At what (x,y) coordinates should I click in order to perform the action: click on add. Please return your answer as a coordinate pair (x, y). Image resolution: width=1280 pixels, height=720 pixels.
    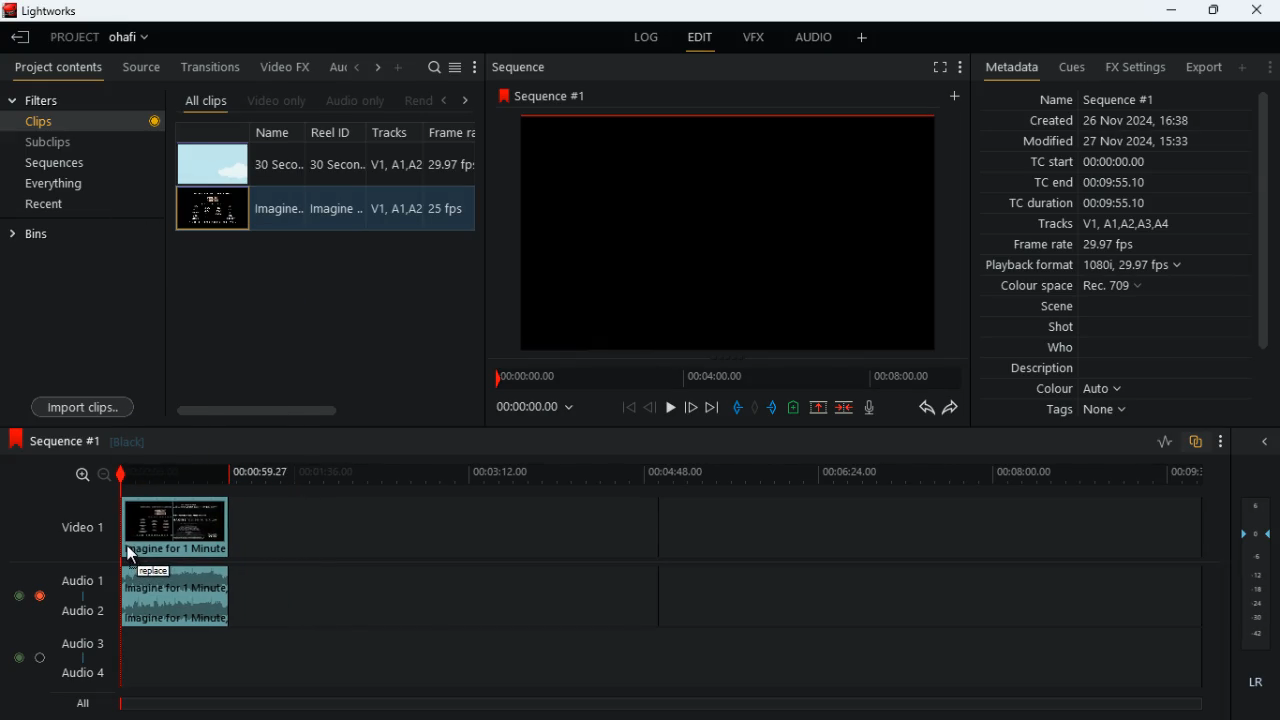
    Looking at the image, I should click on (863, 39).